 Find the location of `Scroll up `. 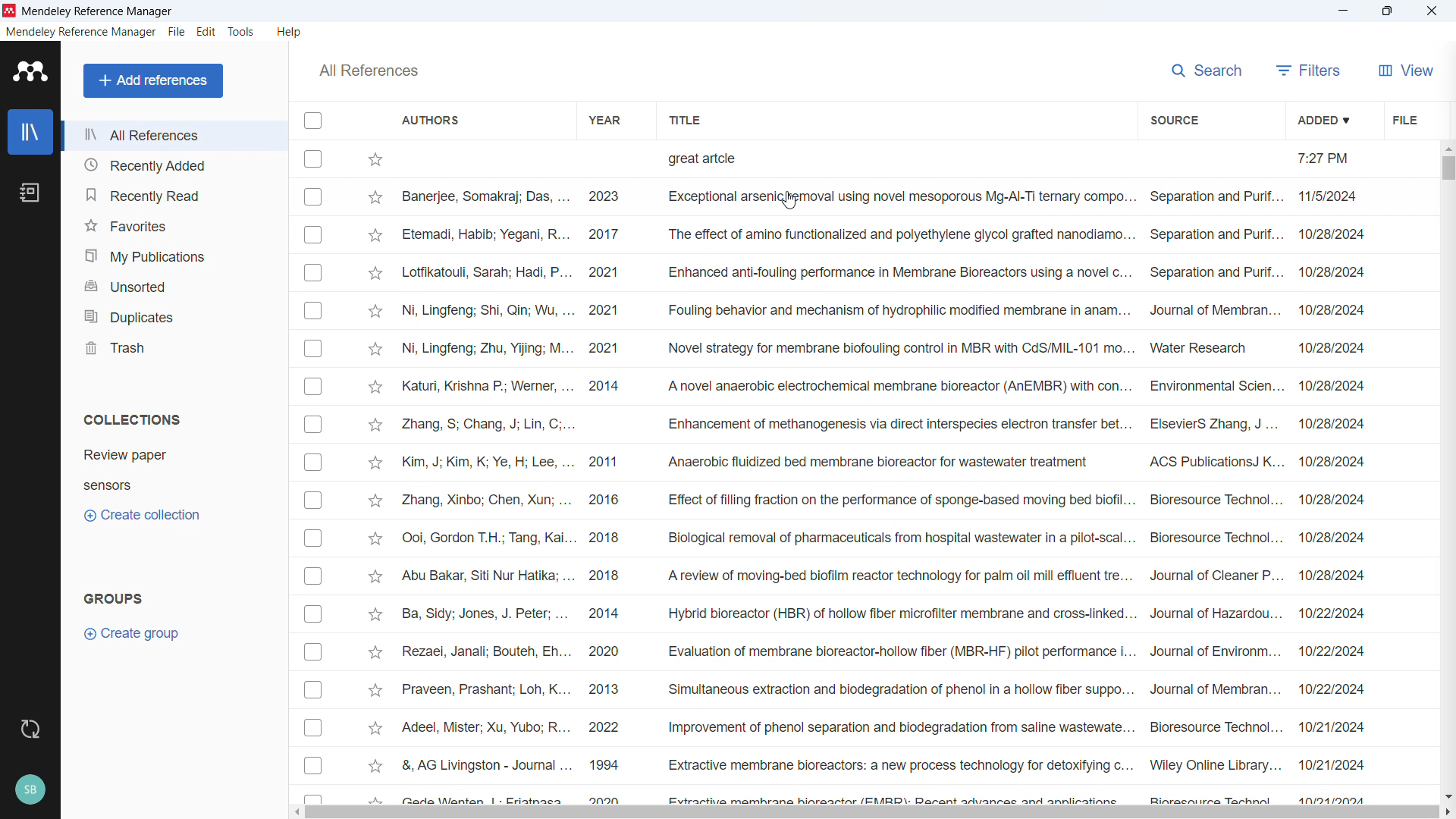

Scroll up  is located at coordinates (1447, 148).